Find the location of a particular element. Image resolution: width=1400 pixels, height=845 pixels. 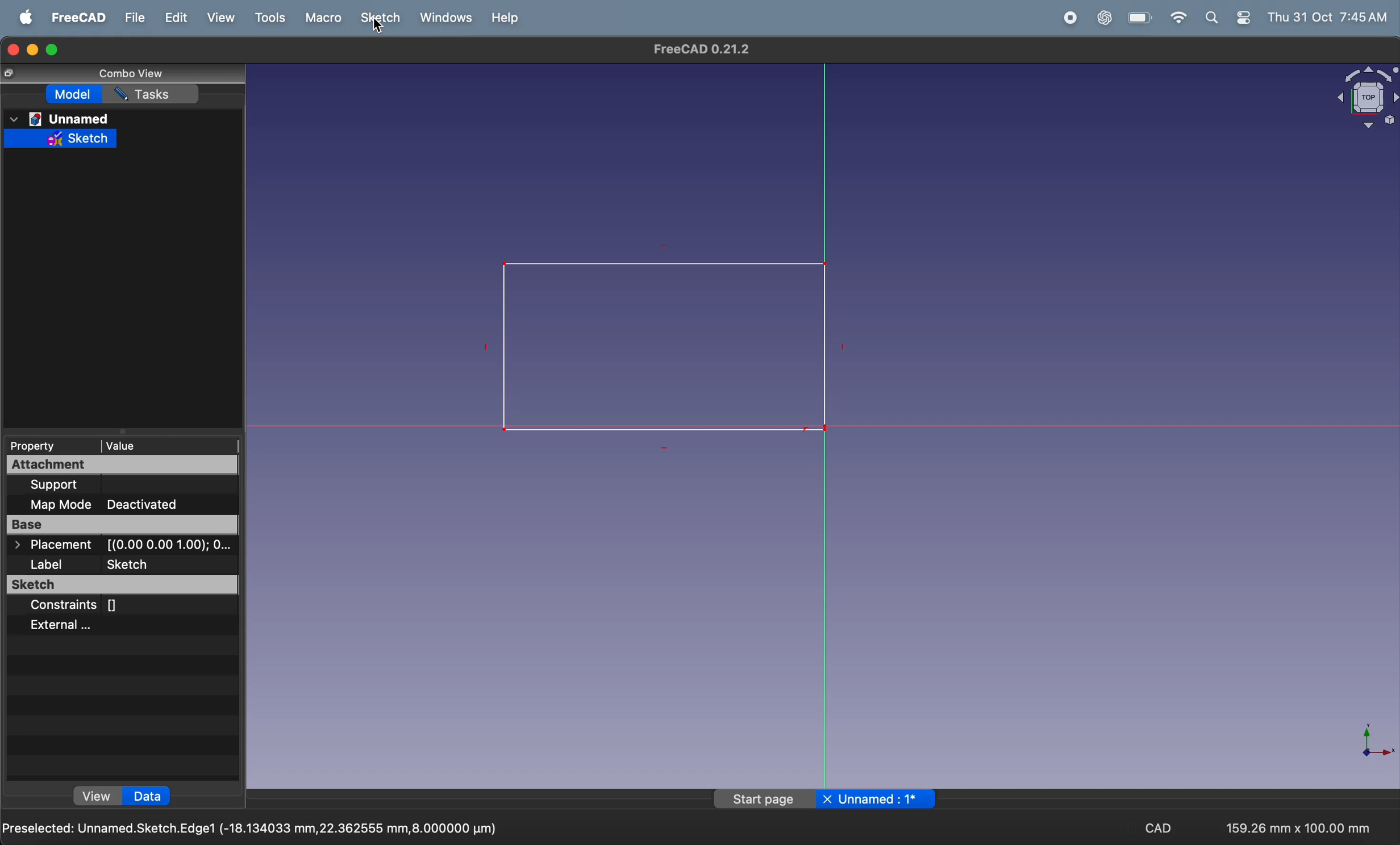

view data is located at coordinates (124, 796).